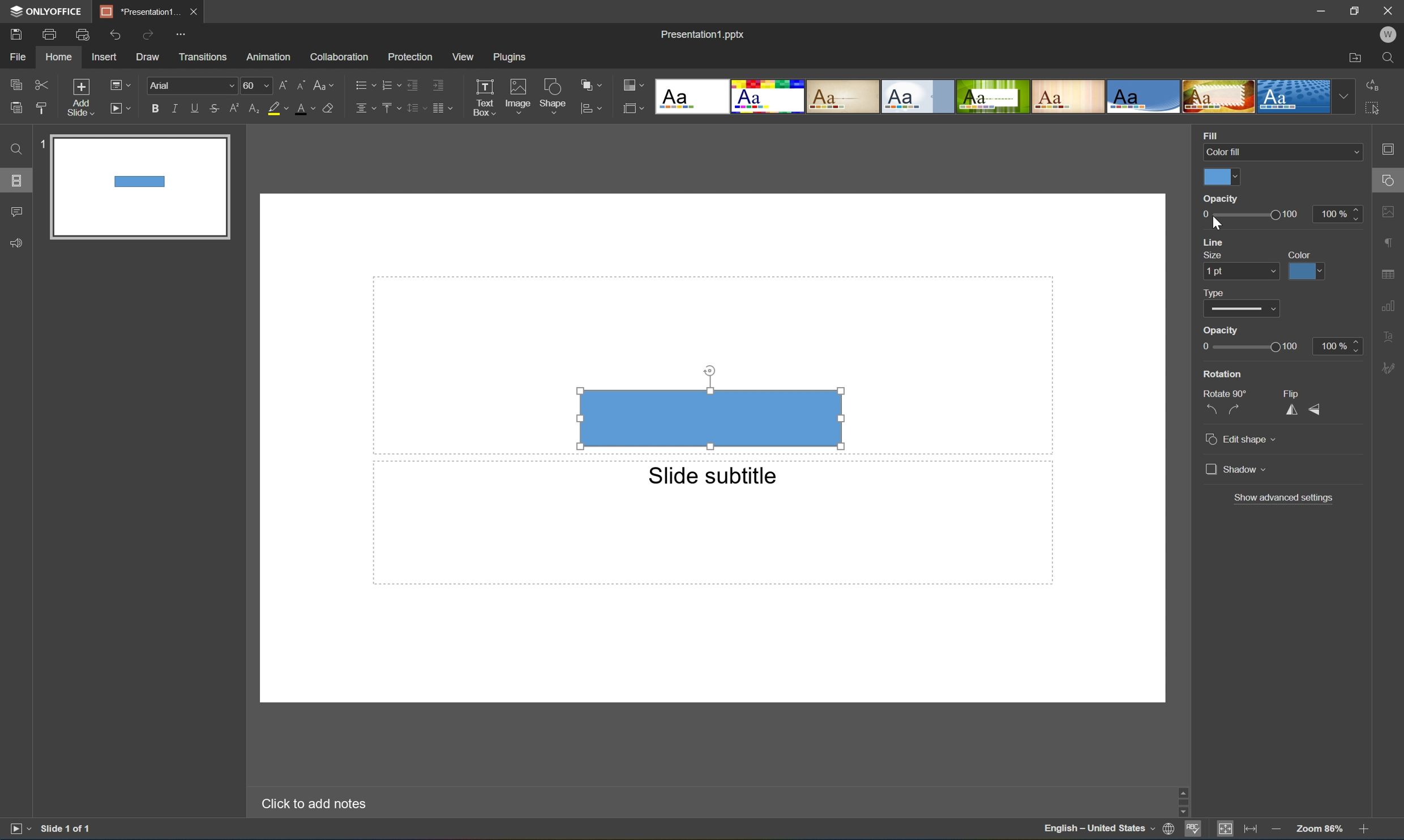  I want to click on Superscript, so click(233, 108).